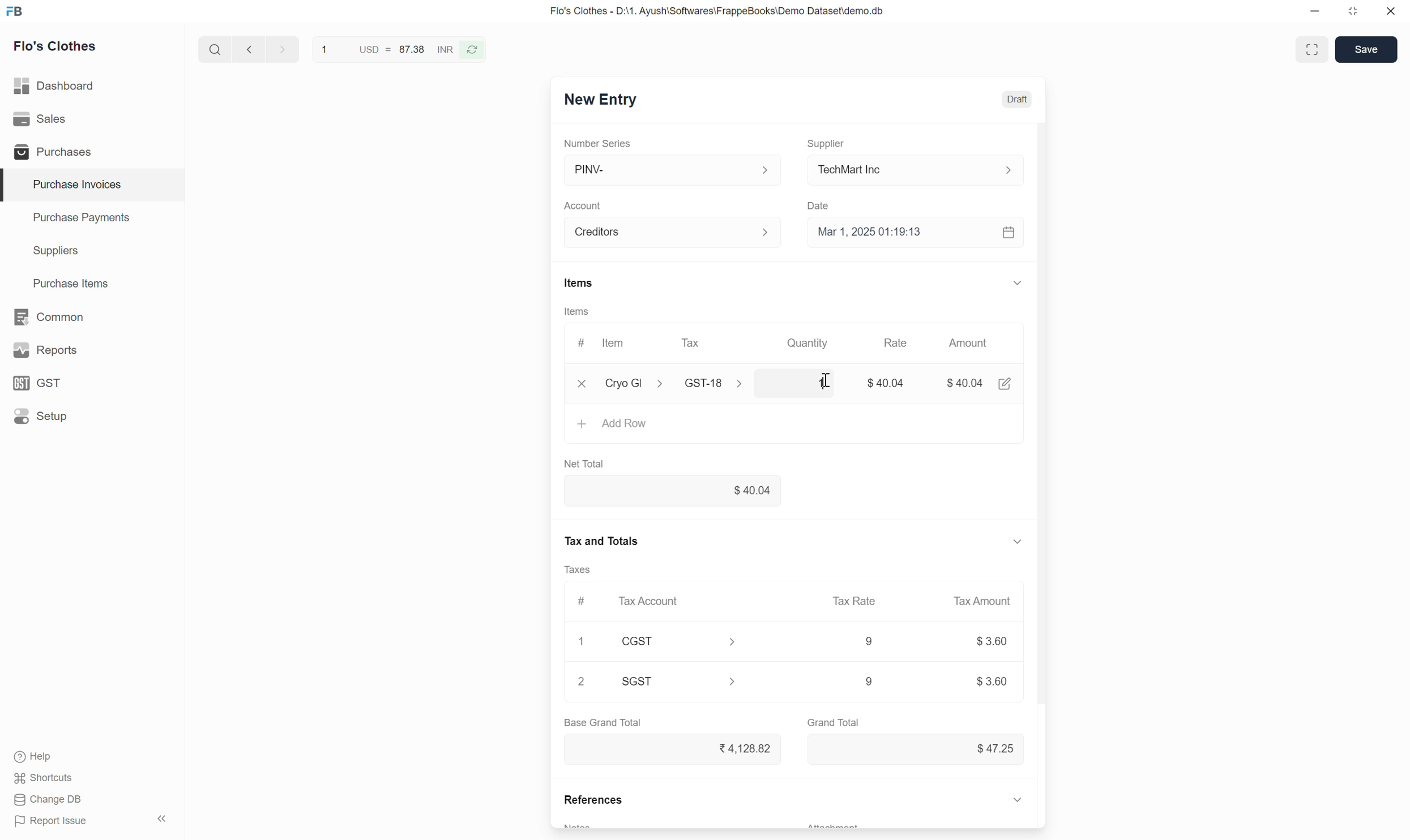  What do you see at coordinates (918, 233) in the screenshot?
I see `Mar 1, 2025 01:19:13 ` at bounding box center [918, 233].